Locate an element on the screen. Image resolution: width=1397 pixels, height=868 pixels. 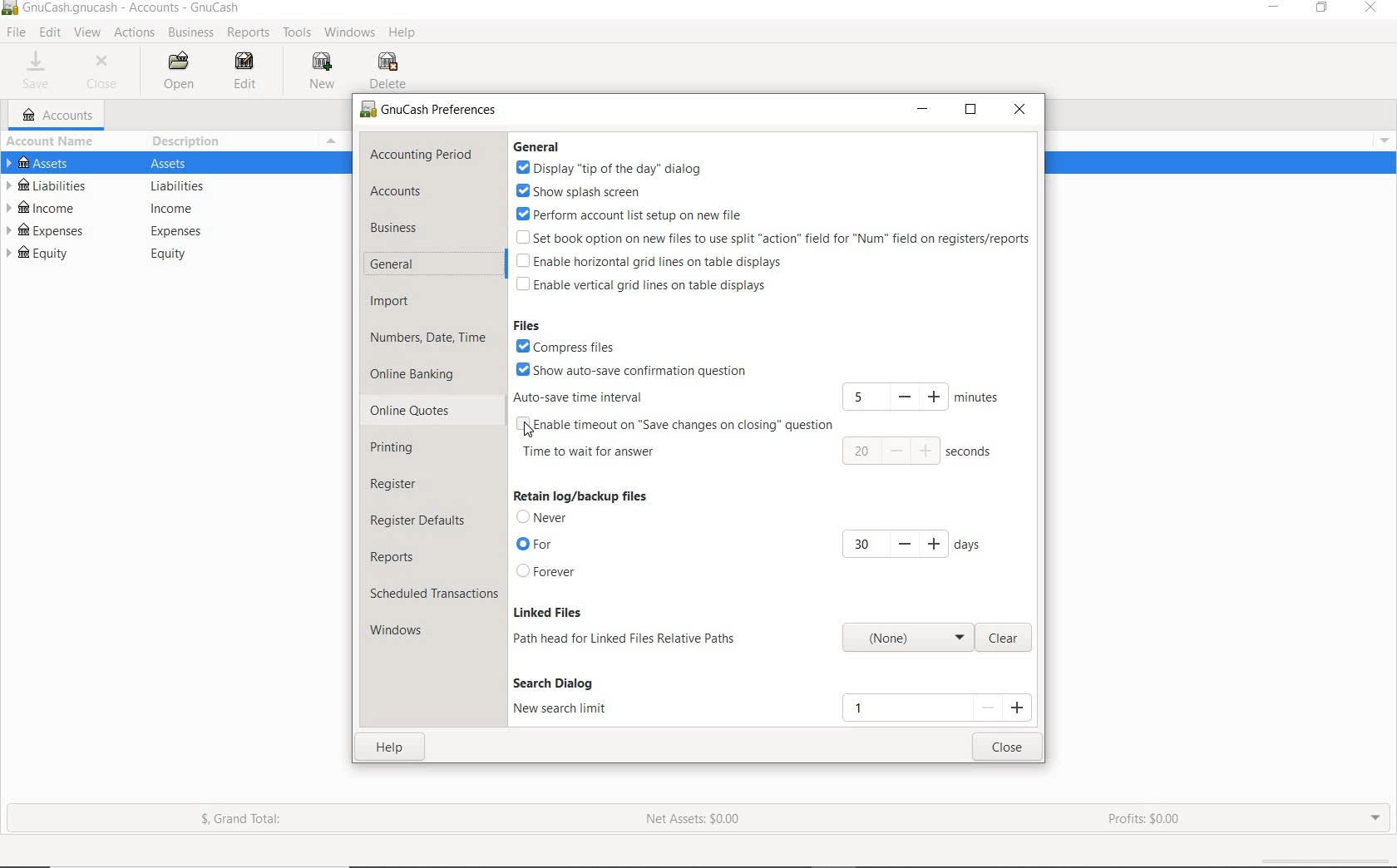
WINDOWS is located at coordinates (351, 32).